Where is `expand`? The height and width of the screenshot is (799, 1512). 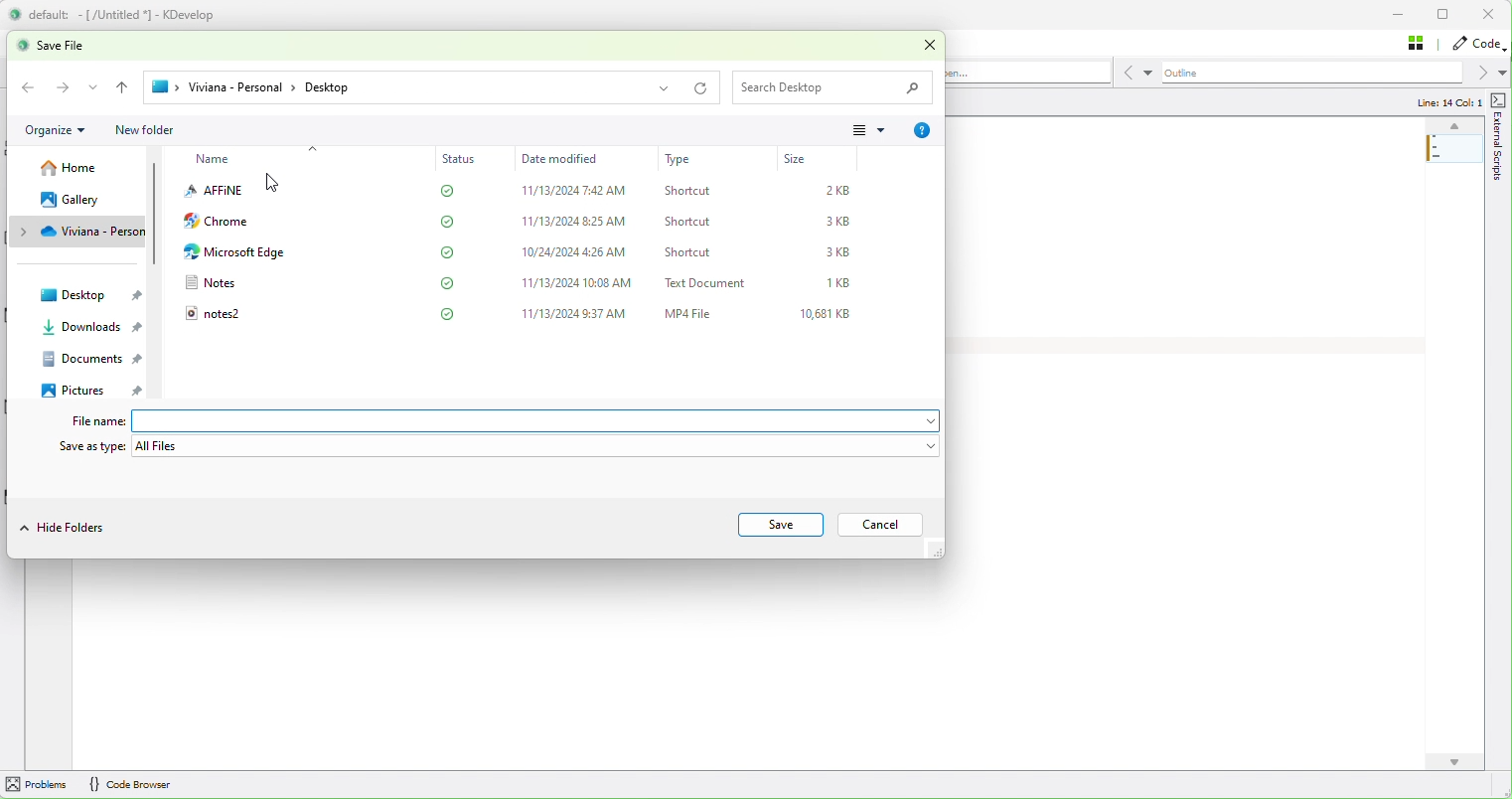
expand is located at coordinates (94, 87).